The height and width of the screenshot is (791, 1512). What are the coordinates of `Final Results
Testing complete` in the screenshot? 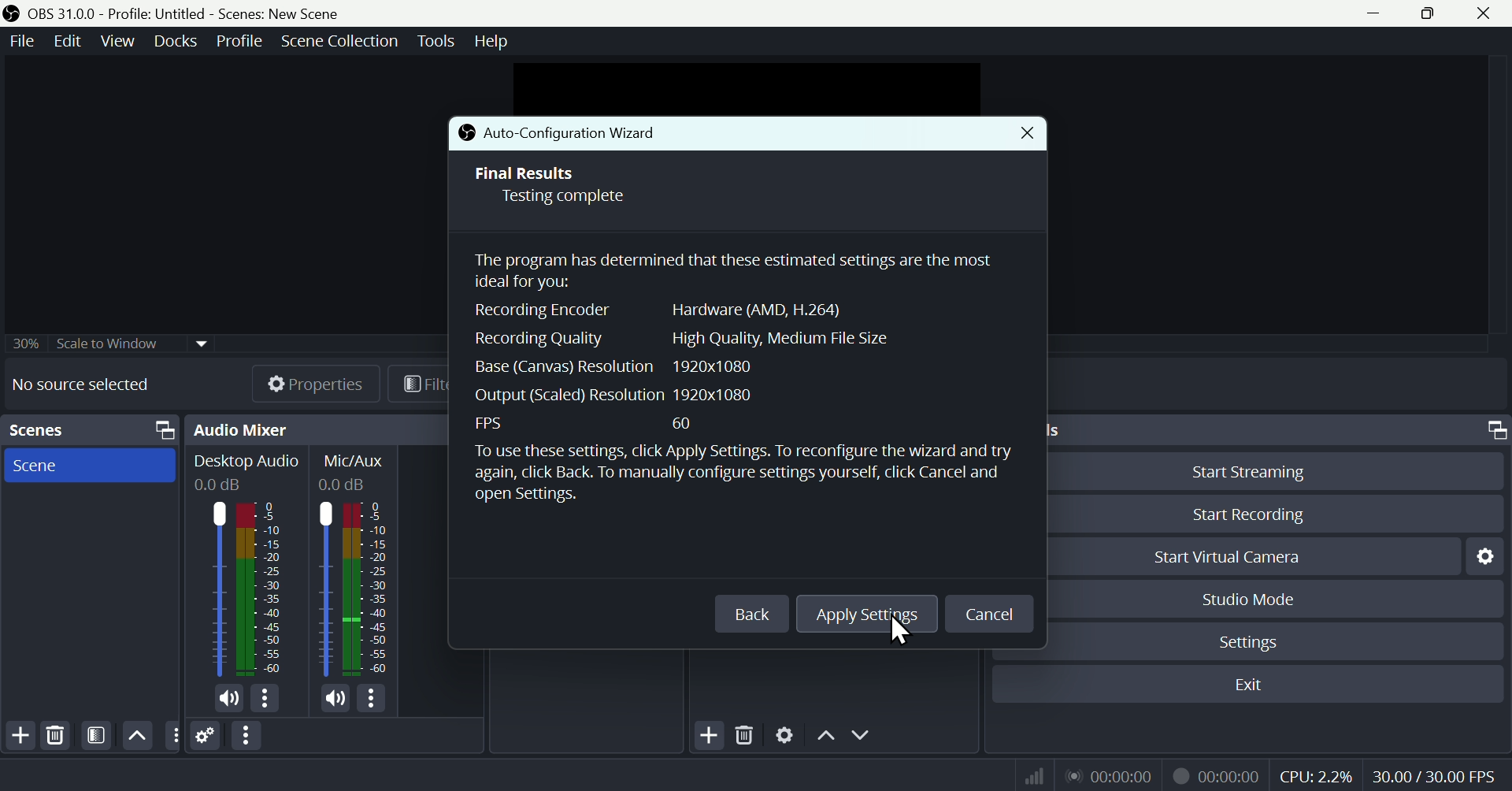 It's located at (561, 186).